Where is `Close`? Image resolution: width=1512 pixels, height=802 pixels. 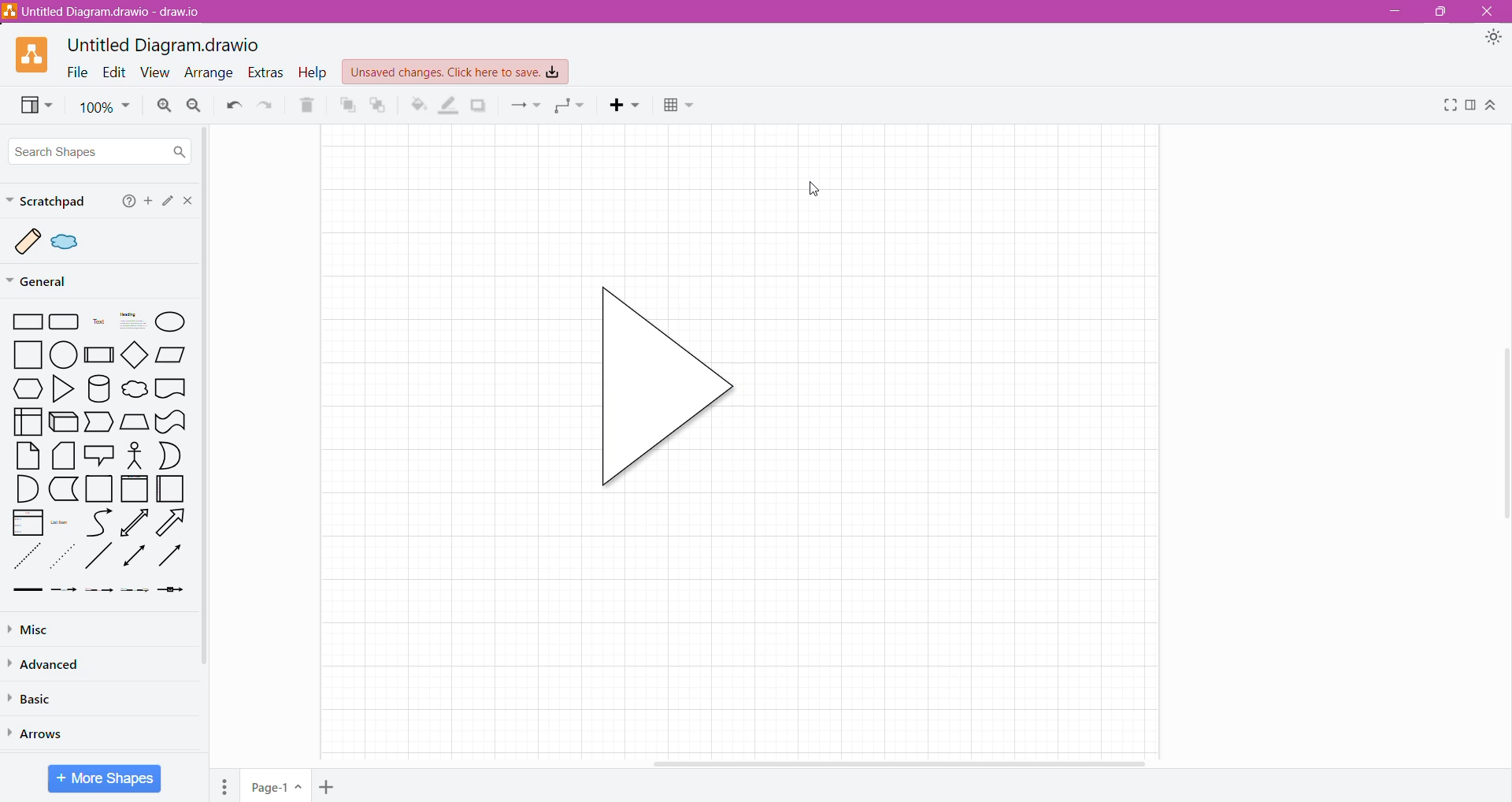 Close is located at coordinates (187, 200).